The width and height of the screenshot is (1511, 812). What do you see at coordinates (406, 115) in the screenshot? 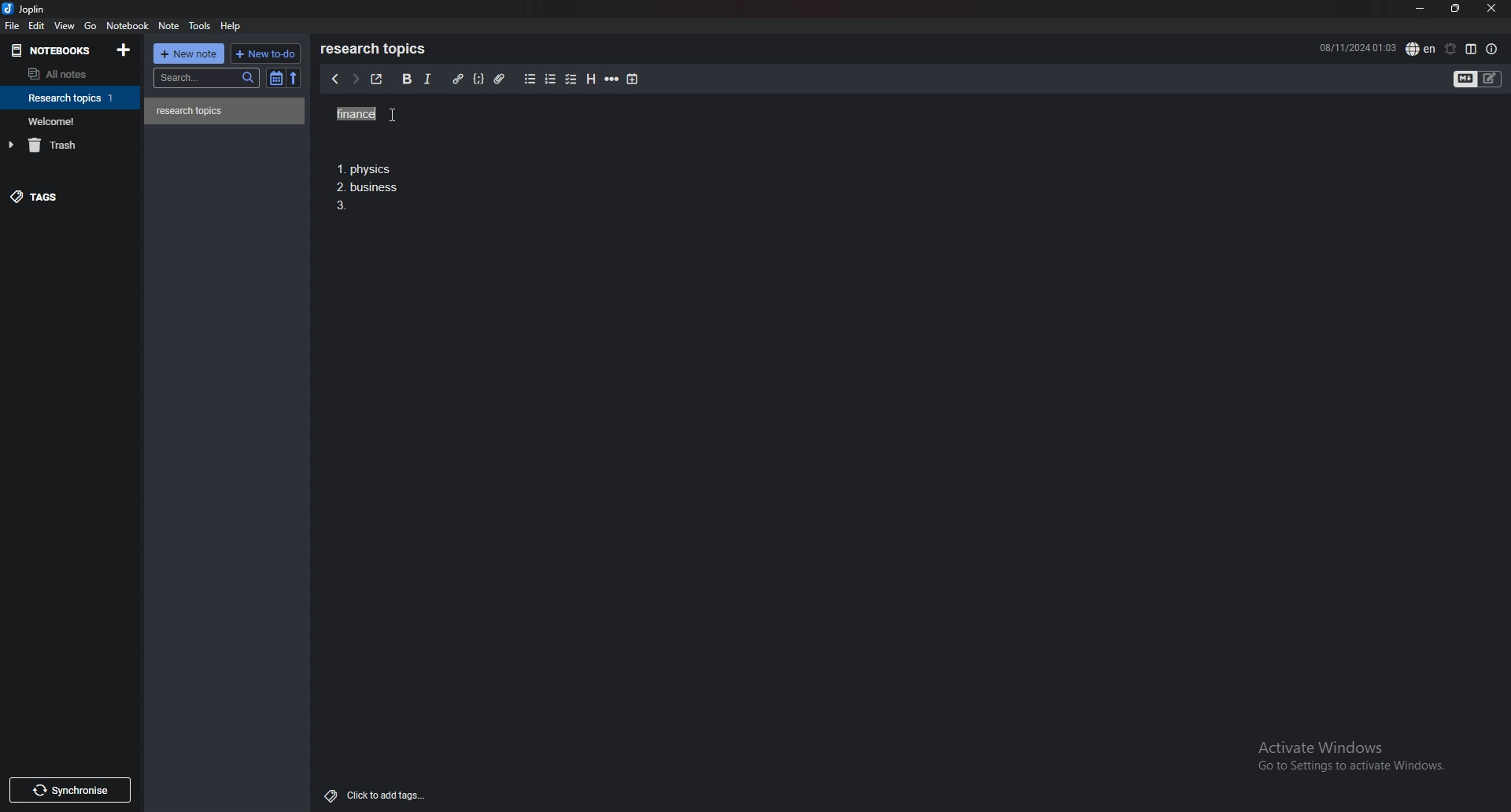
I see `cursor` at bounding box center [406, 115].